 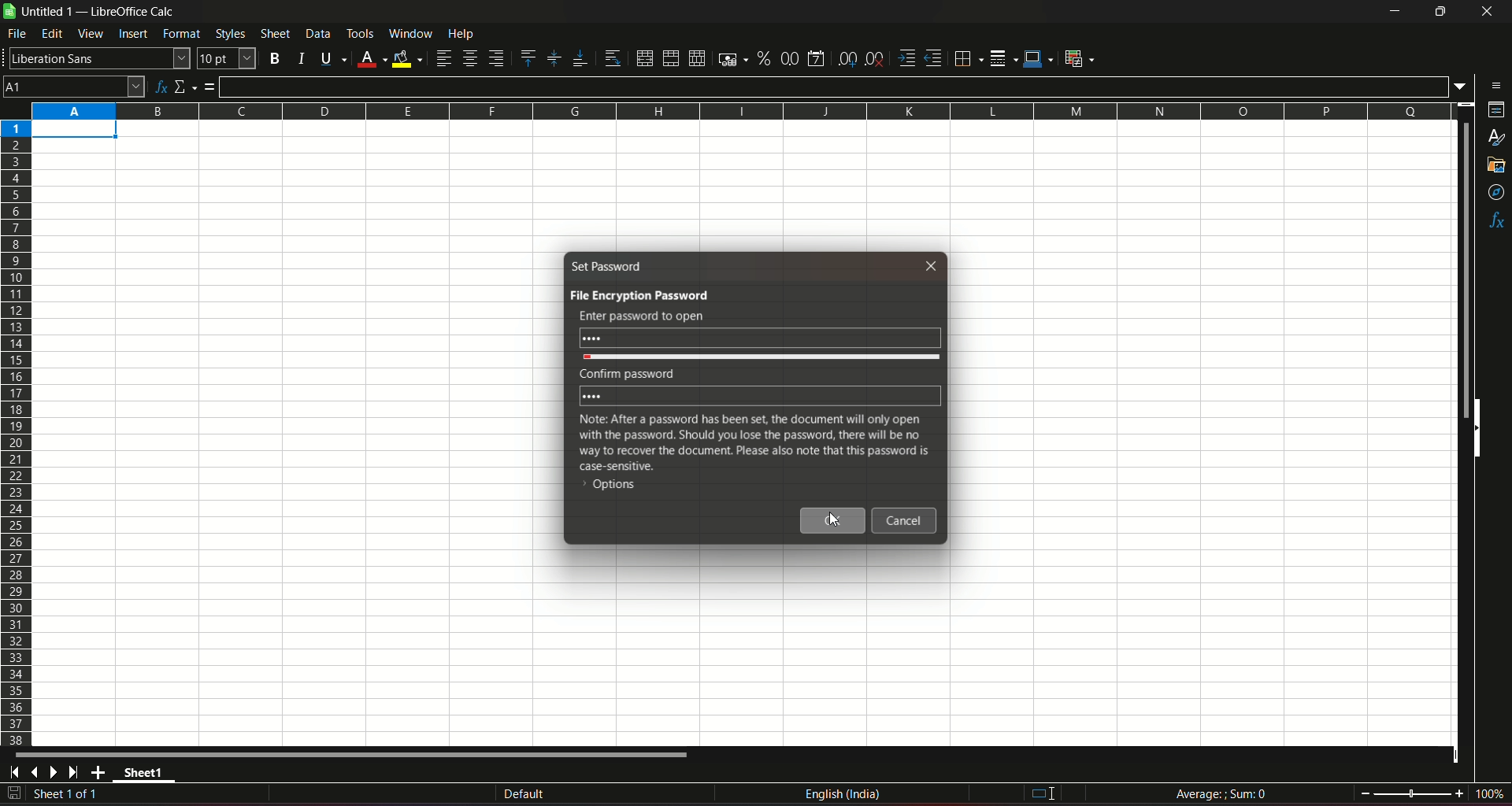 What do you see at coordinates (762, 59) in the screenshot?
I see `format as percent` at bounding box center [762, 59].